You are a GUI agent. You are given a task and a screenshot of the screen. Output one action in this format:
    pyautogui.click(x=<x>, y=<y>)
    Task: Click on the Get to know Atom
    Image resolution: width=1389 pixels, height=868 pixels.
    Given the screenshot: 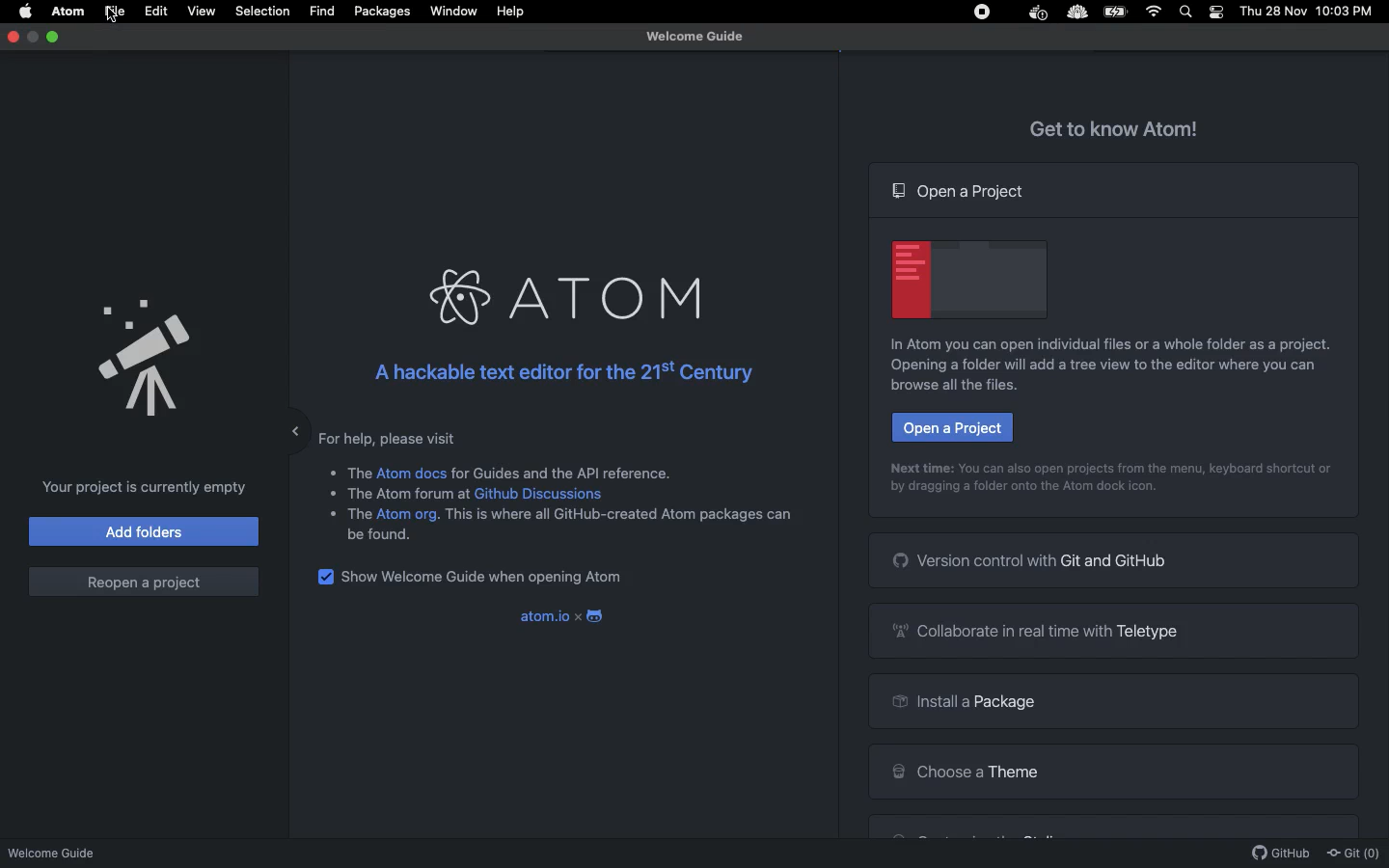 What is the action you would take?
    pyautogui.click(x=1115, y=126)
    